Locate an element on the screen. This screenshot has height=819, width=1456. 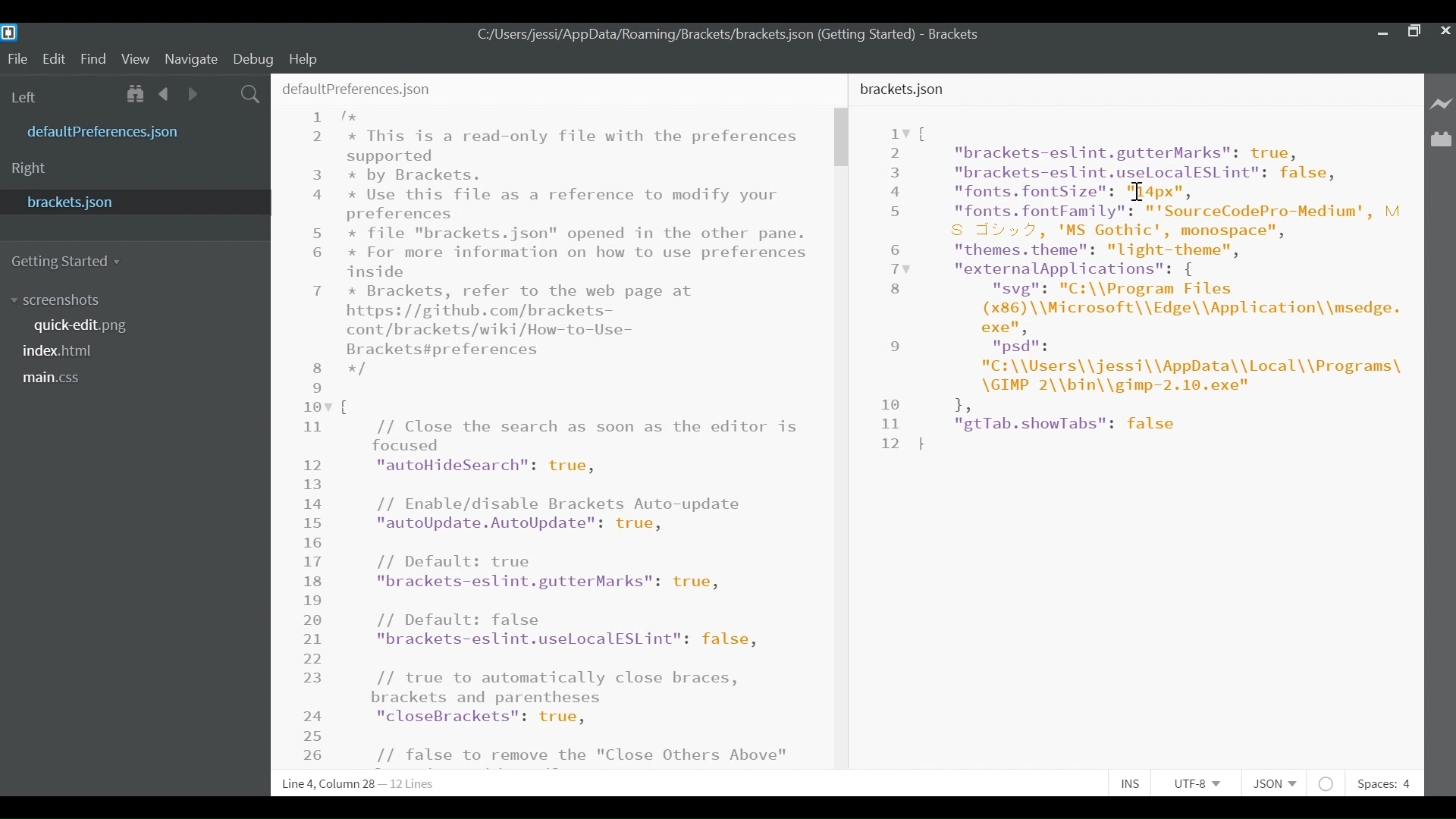
JSON is located at coordinates (1279, 783).